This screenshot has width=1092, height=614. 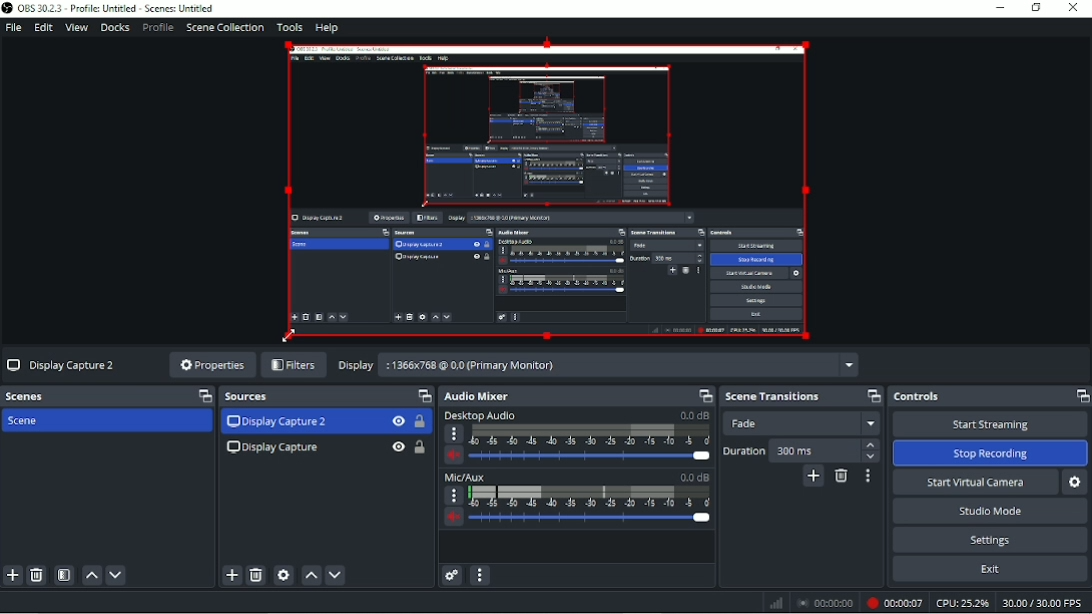 I want to click on Lock, so click(x=420, y=422).